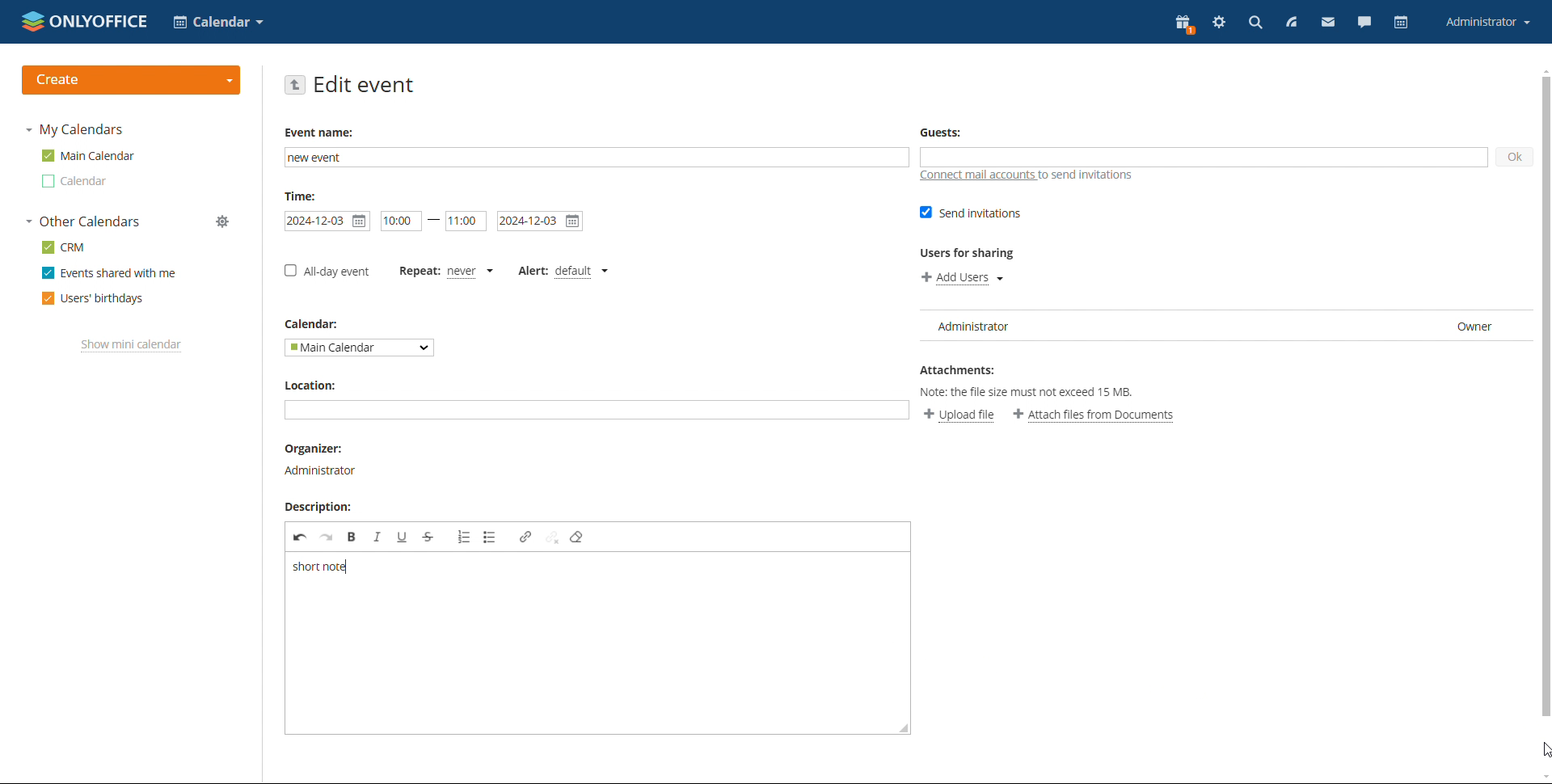 Image resolution: width=1552 pixels, height=784 pixels. I want to click on ok, so click(1512, 158).